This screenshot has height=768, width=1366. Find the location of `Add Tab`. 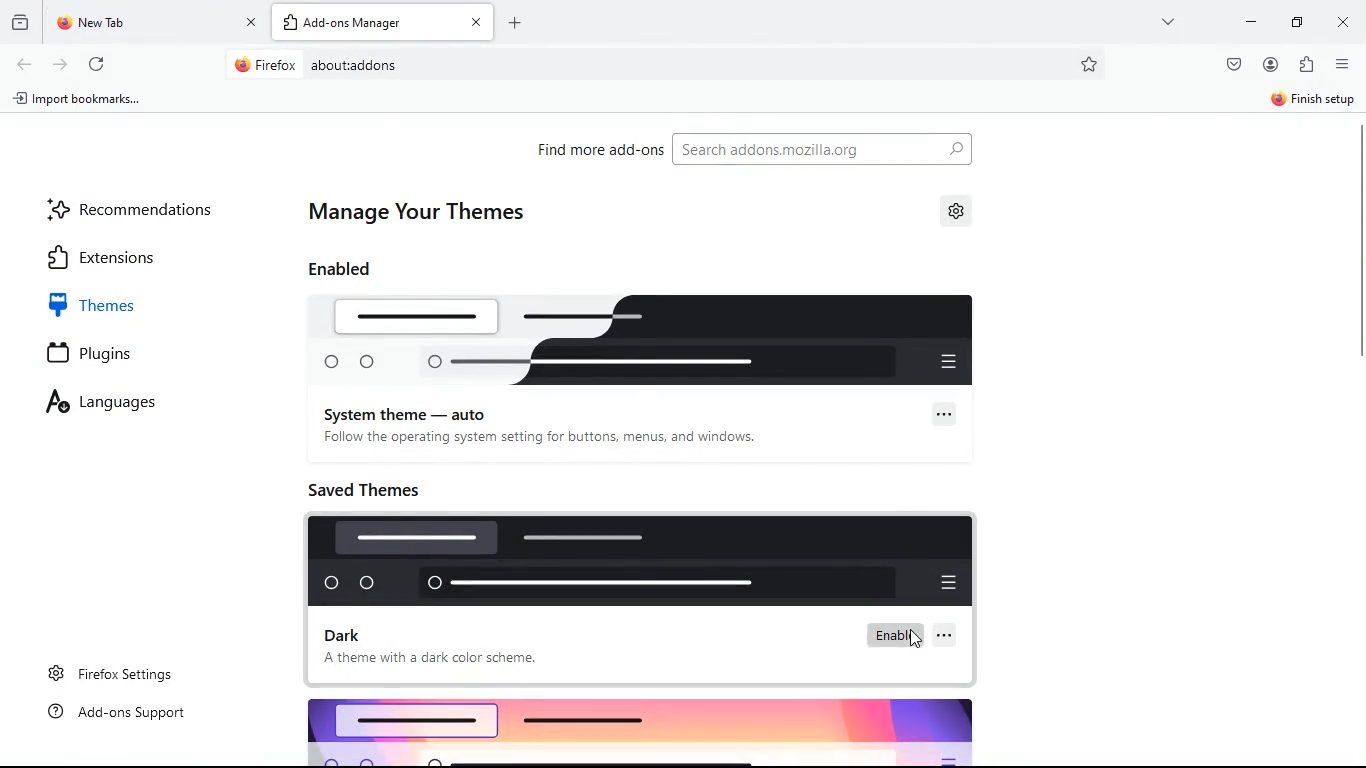

Add Tab is located at coordinates (516, 23).